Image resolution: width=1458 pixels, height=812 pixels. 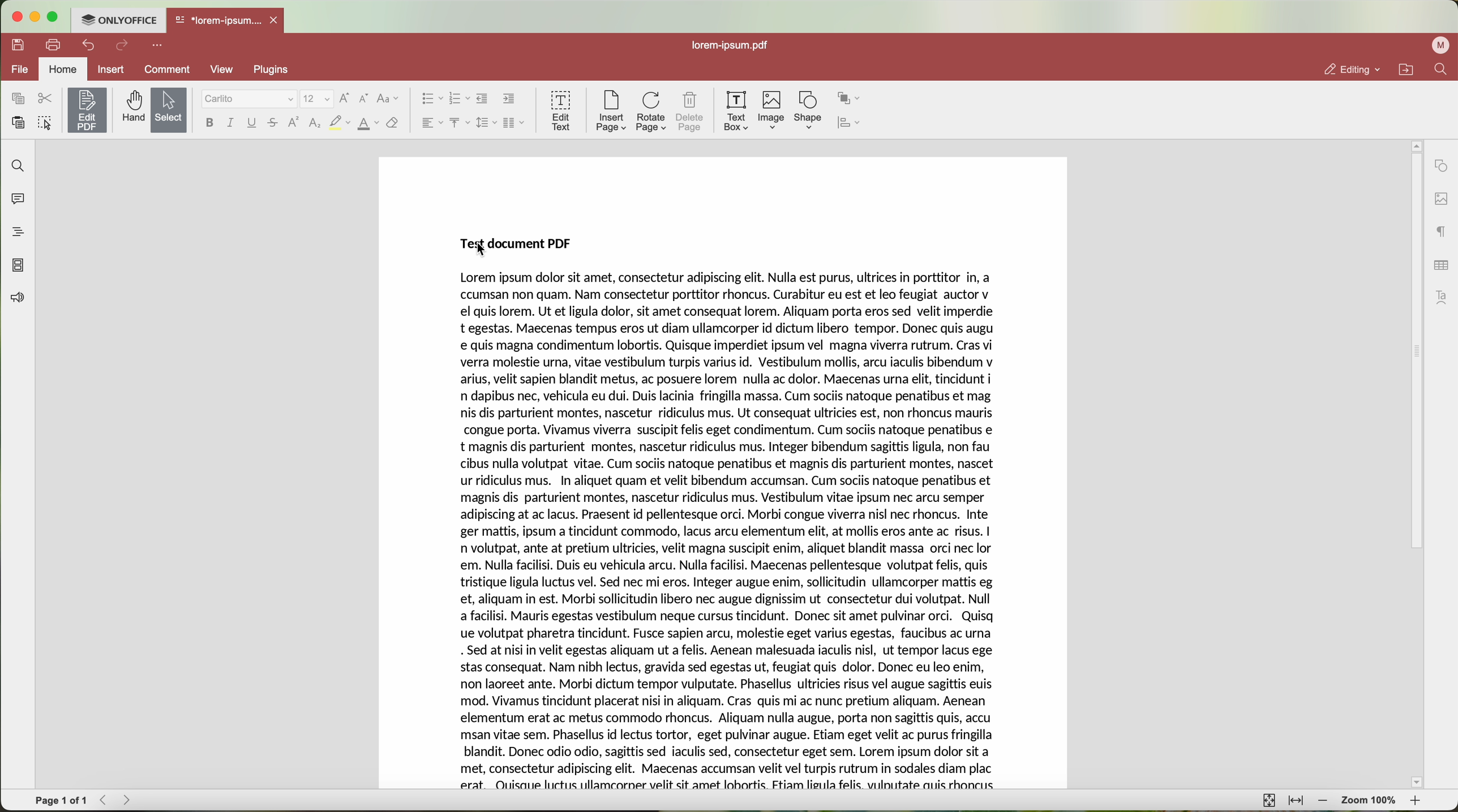 I want to click on italic, so click(x=232, y=123).